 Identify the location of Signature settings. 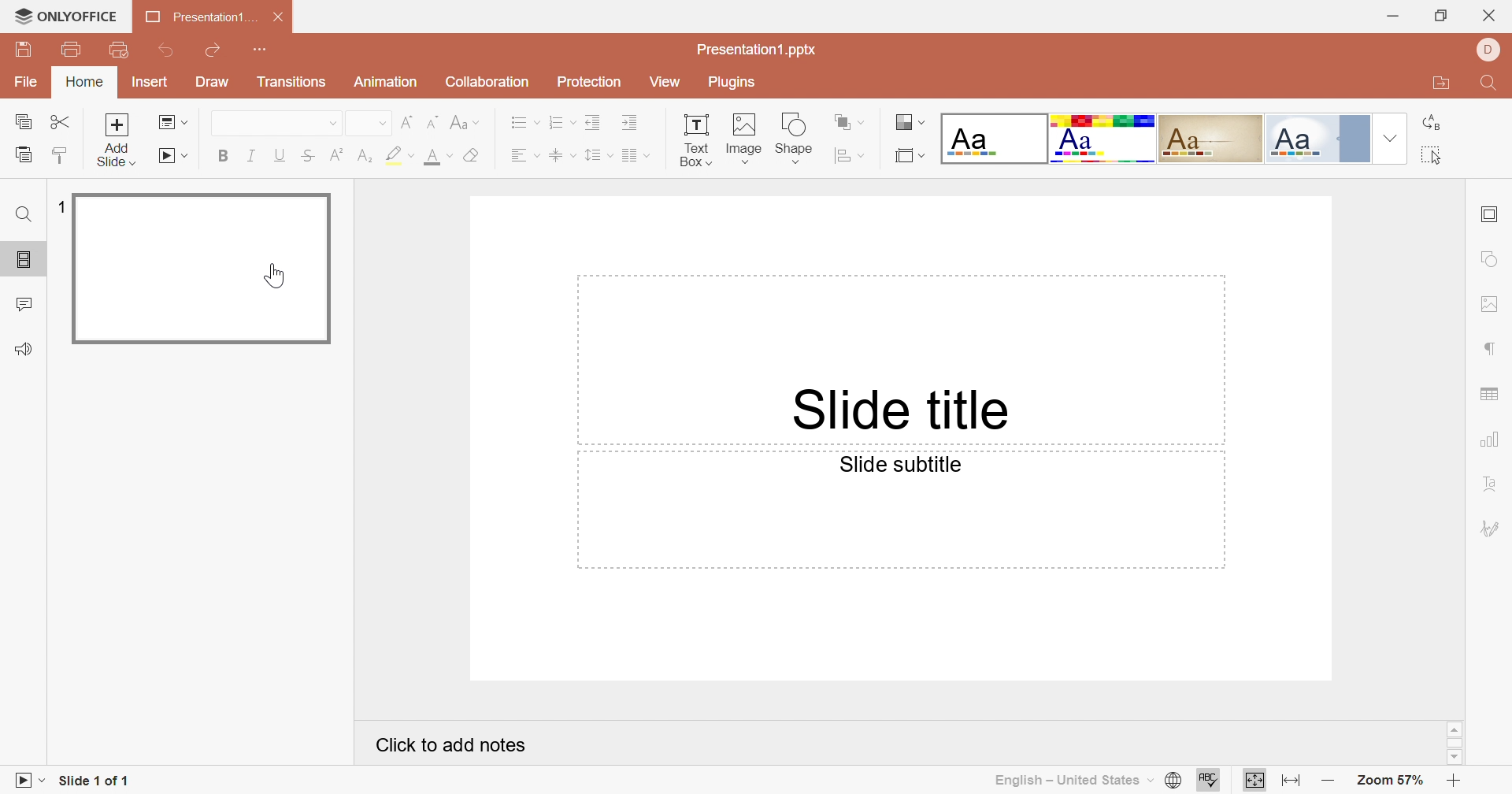
(1495, 530).